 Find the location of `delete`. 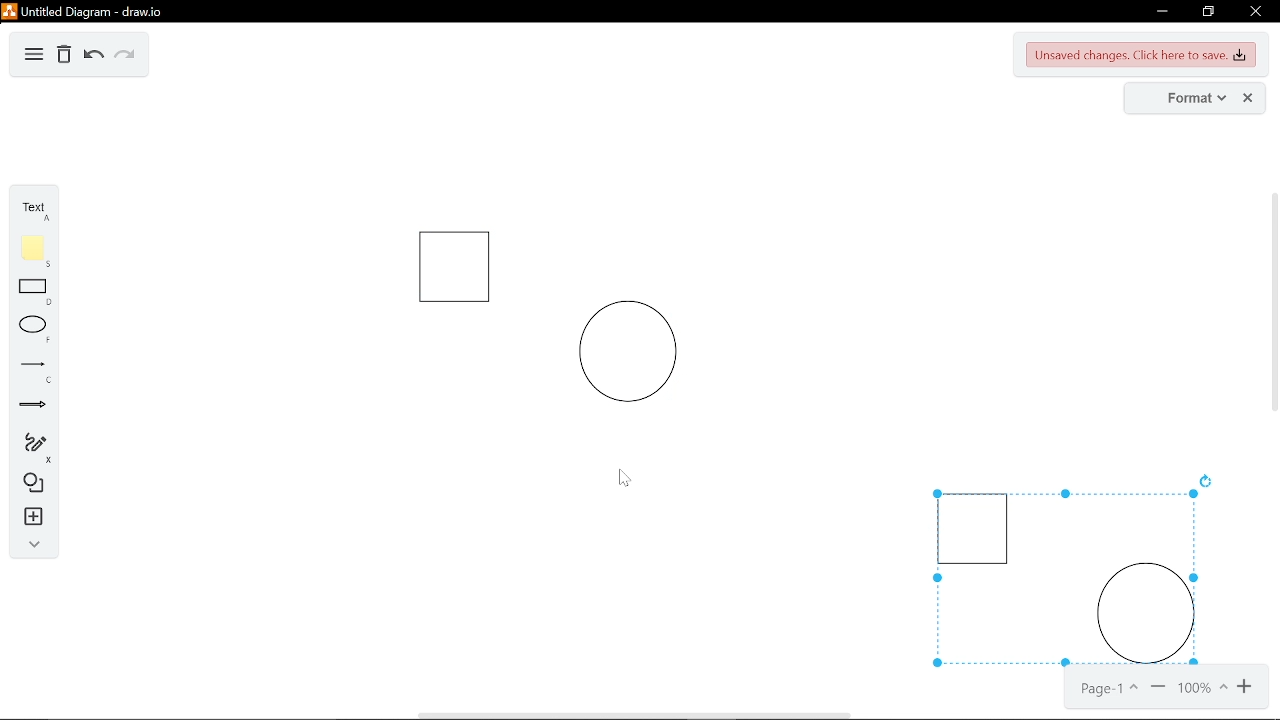

delete is located at coordinates (64, 56).